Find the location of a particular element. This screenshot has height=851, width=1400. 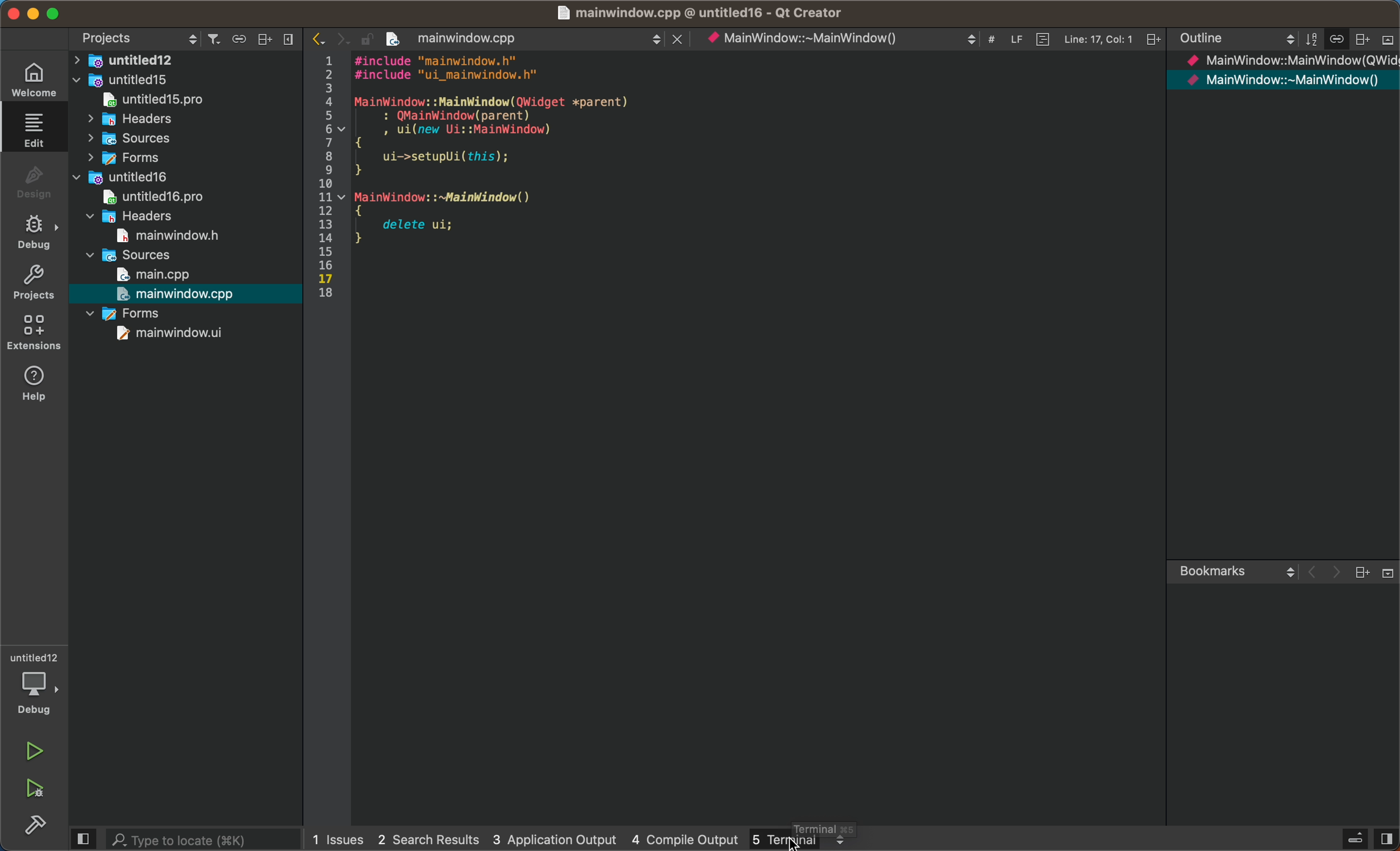

bookmarks is located at coordinates (1281, 573).